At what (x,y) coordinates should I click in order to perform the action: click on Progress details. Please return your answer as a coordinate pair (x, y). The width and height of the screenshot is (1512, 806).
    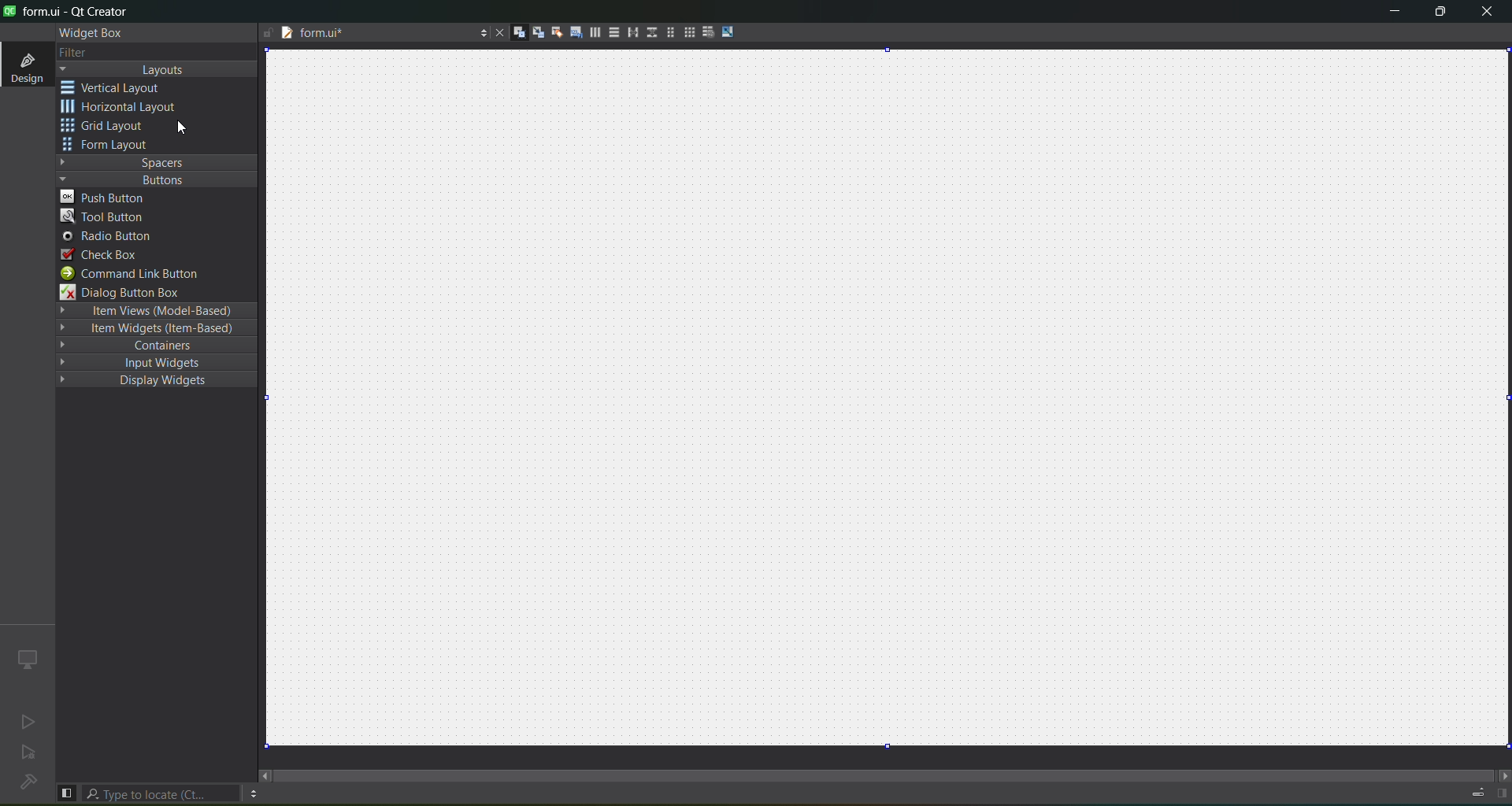
    Looking at the image, I should click on (1473, 793).